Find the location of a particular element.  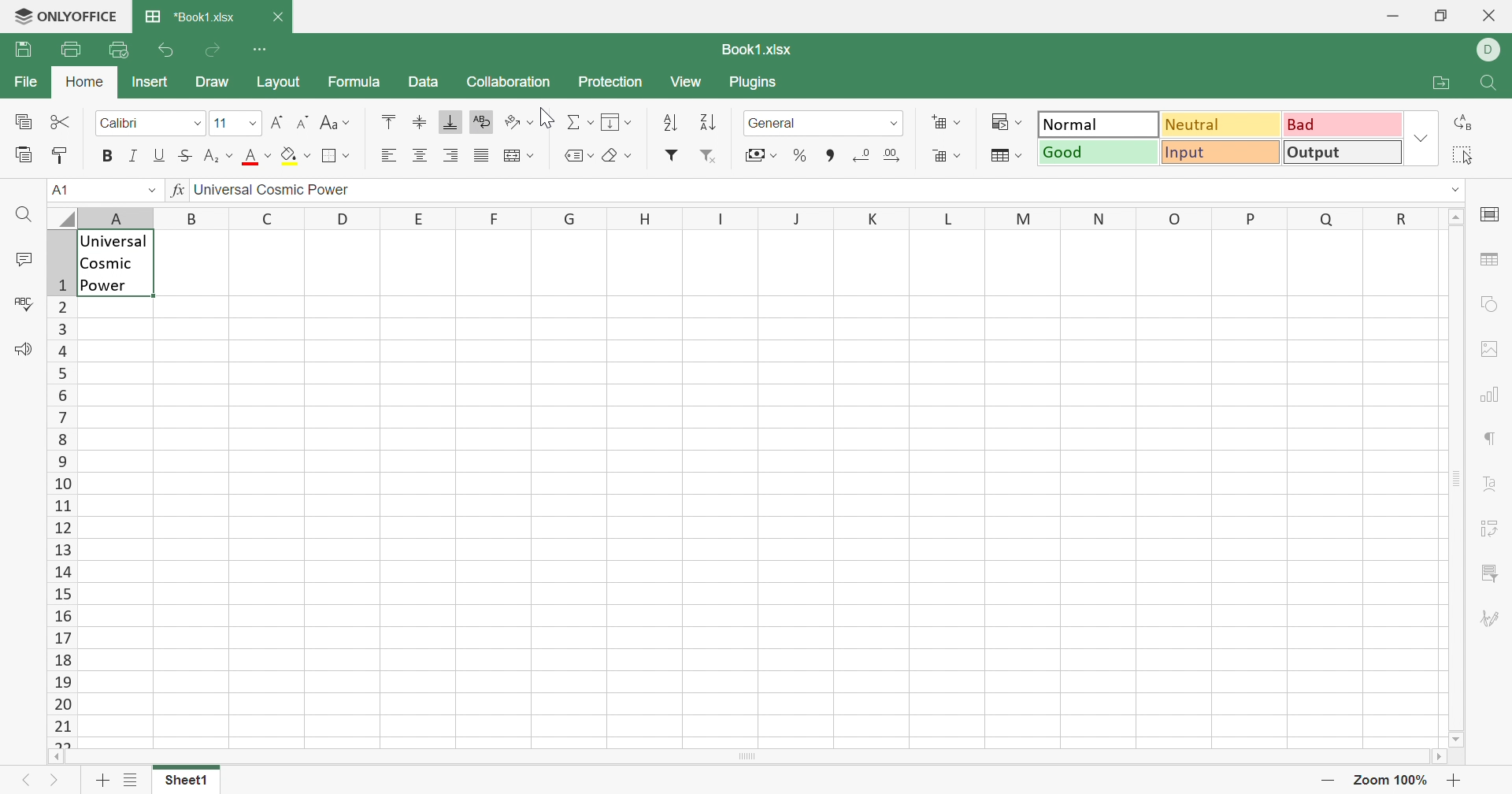

Named ranges is located at coordinates (578, 157).